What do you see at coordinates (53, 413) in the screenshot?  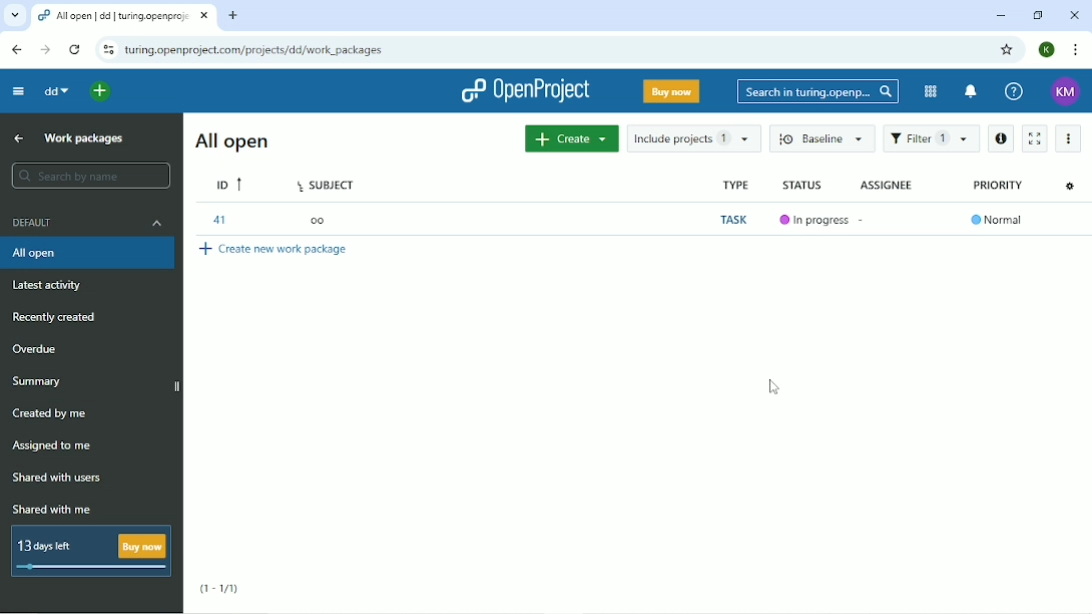 I see `Created by me` at bounding box center [53, 413].